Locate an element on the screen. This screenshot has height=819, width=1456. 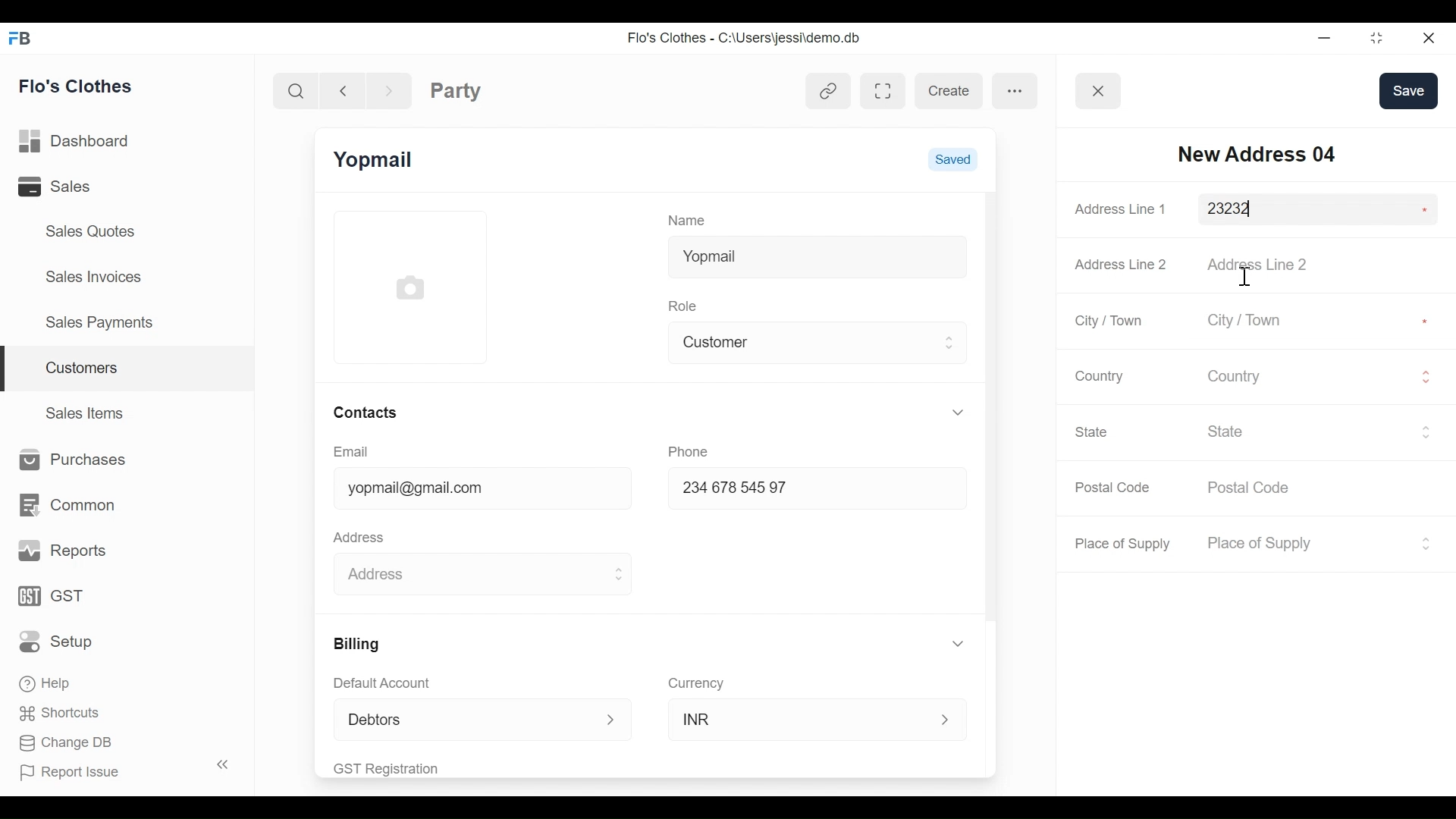
more is located at coordinates (1015, 89).